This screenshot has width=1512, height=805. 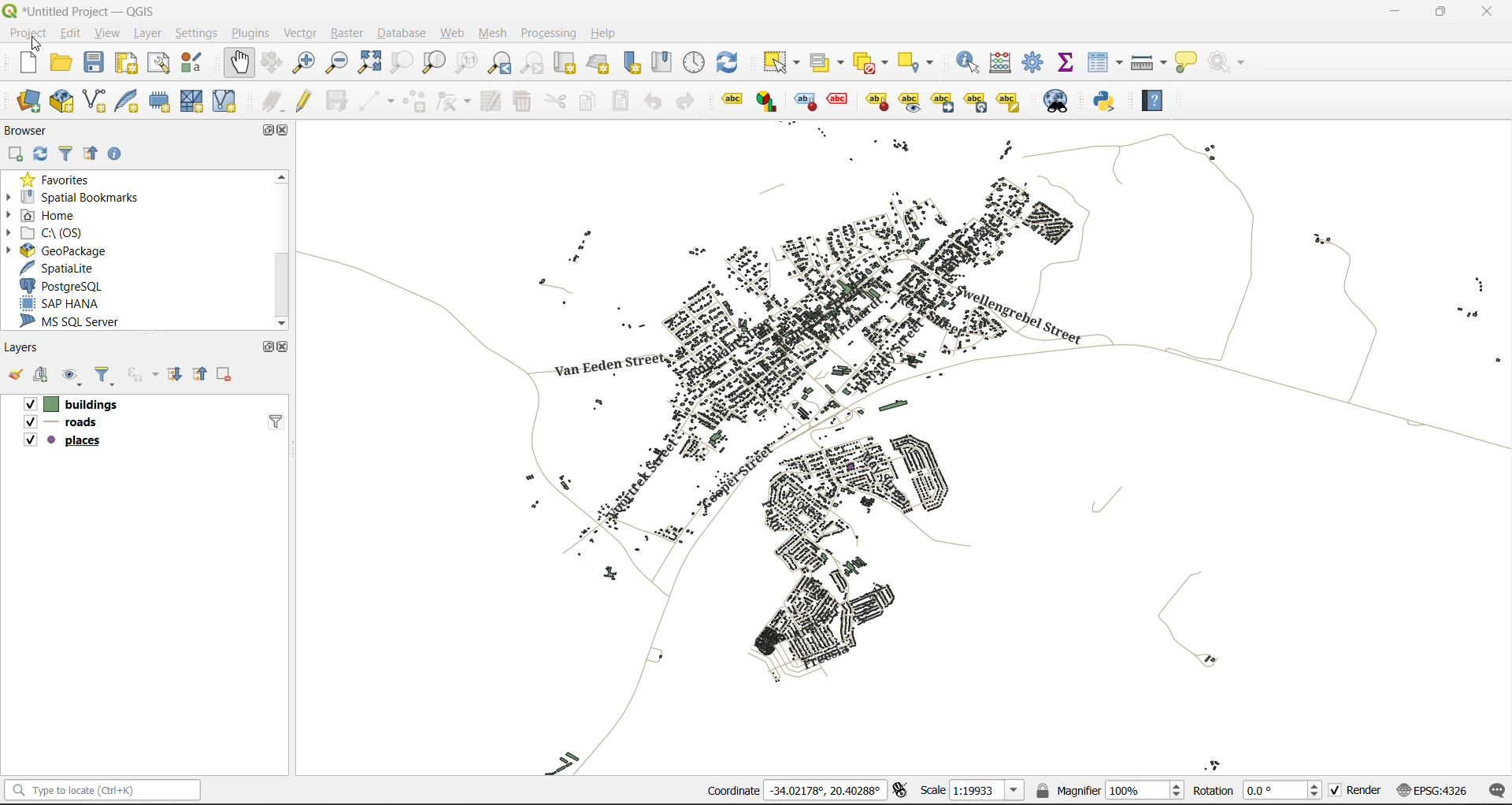 What do you see at coordinates (557, 101) in the screenshot?
I see `cut` at bounding box center [557, 101].